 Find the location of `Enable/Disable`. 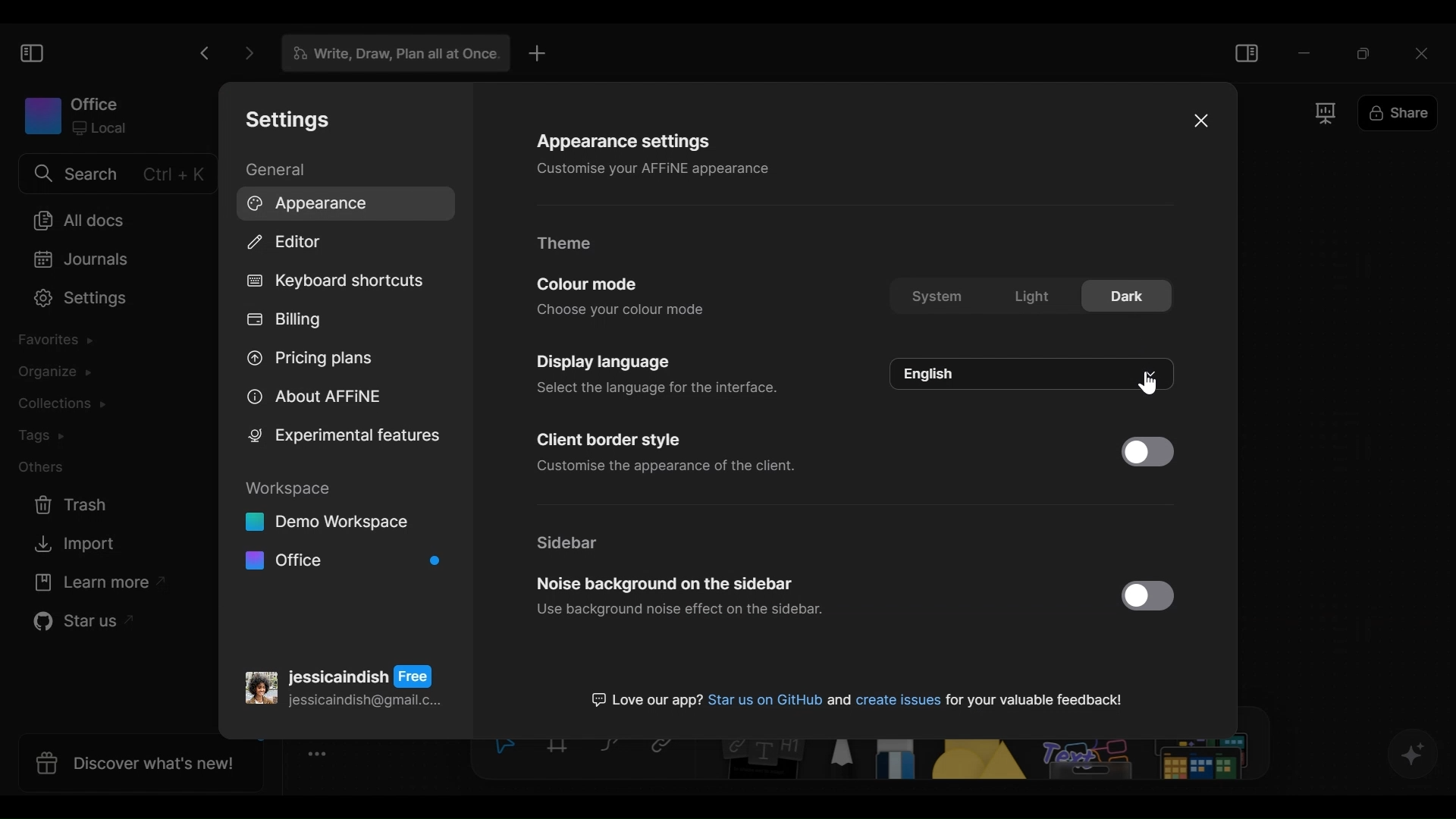

Enable/Disable is located at coordinates (1148, 450).